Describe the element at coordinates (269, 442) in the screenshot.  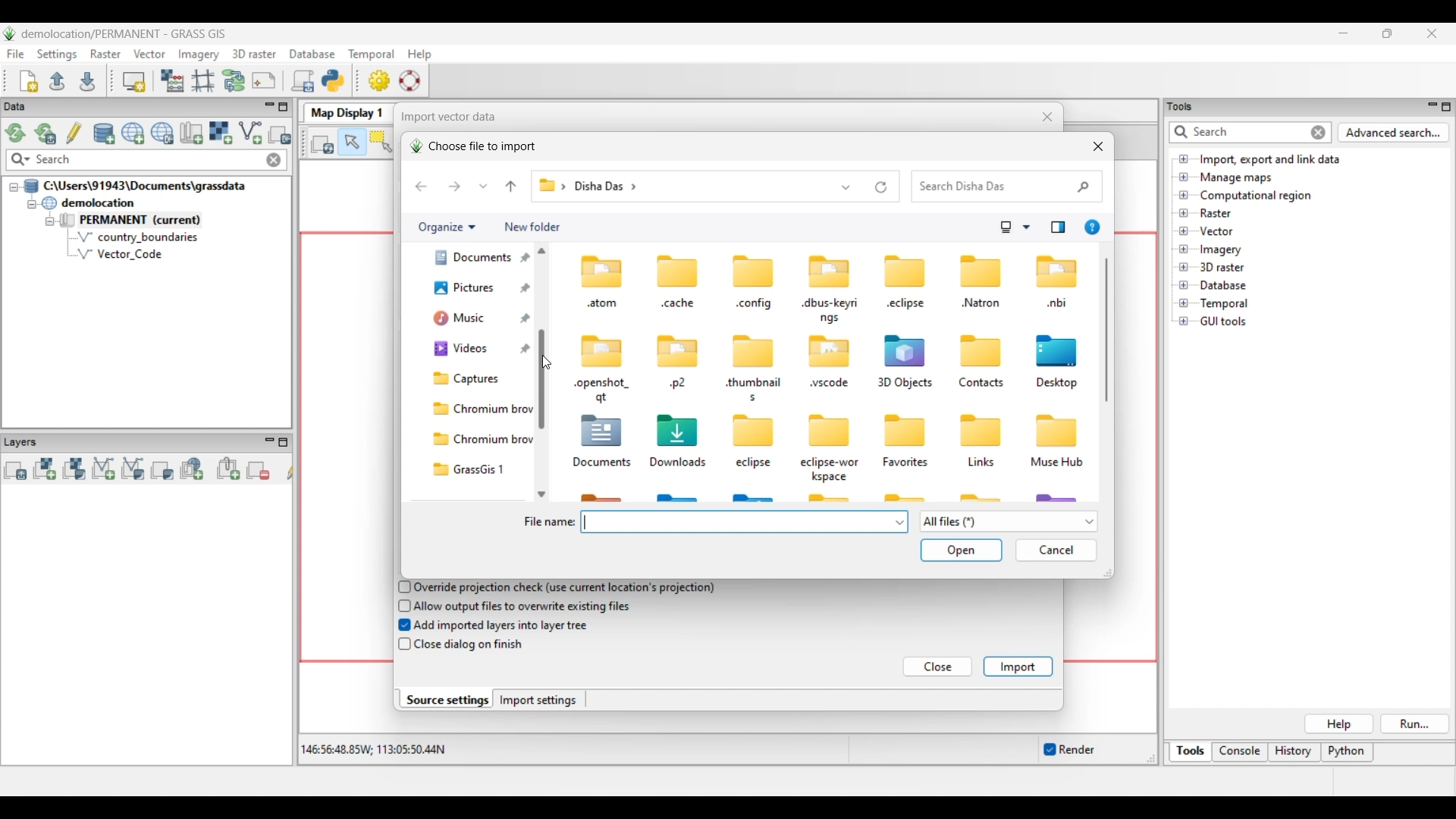
I see `Minimize Layers panel` at that location.